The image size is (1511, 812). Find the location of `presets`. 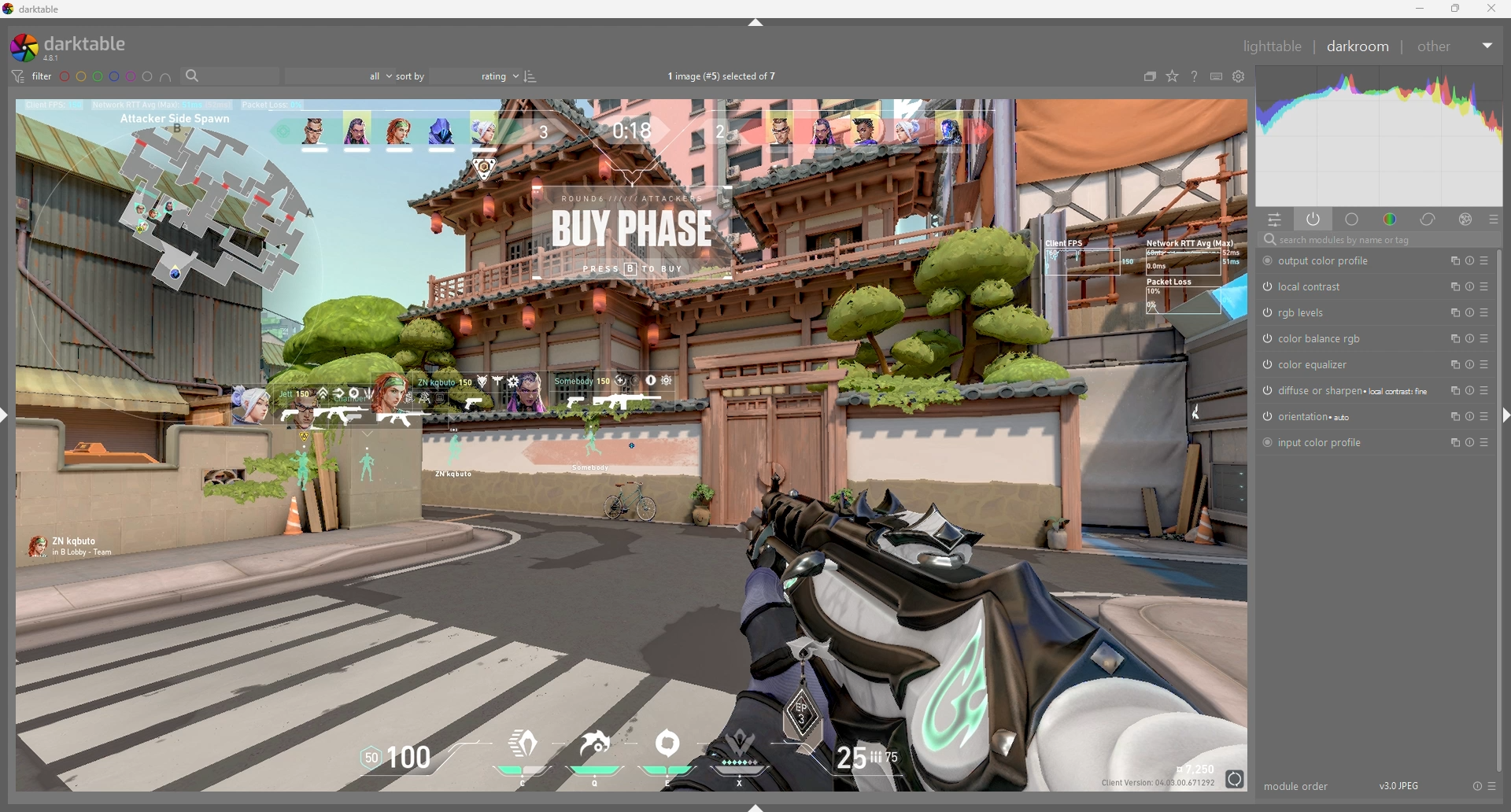

presets is located at coordinates (1485, 312).